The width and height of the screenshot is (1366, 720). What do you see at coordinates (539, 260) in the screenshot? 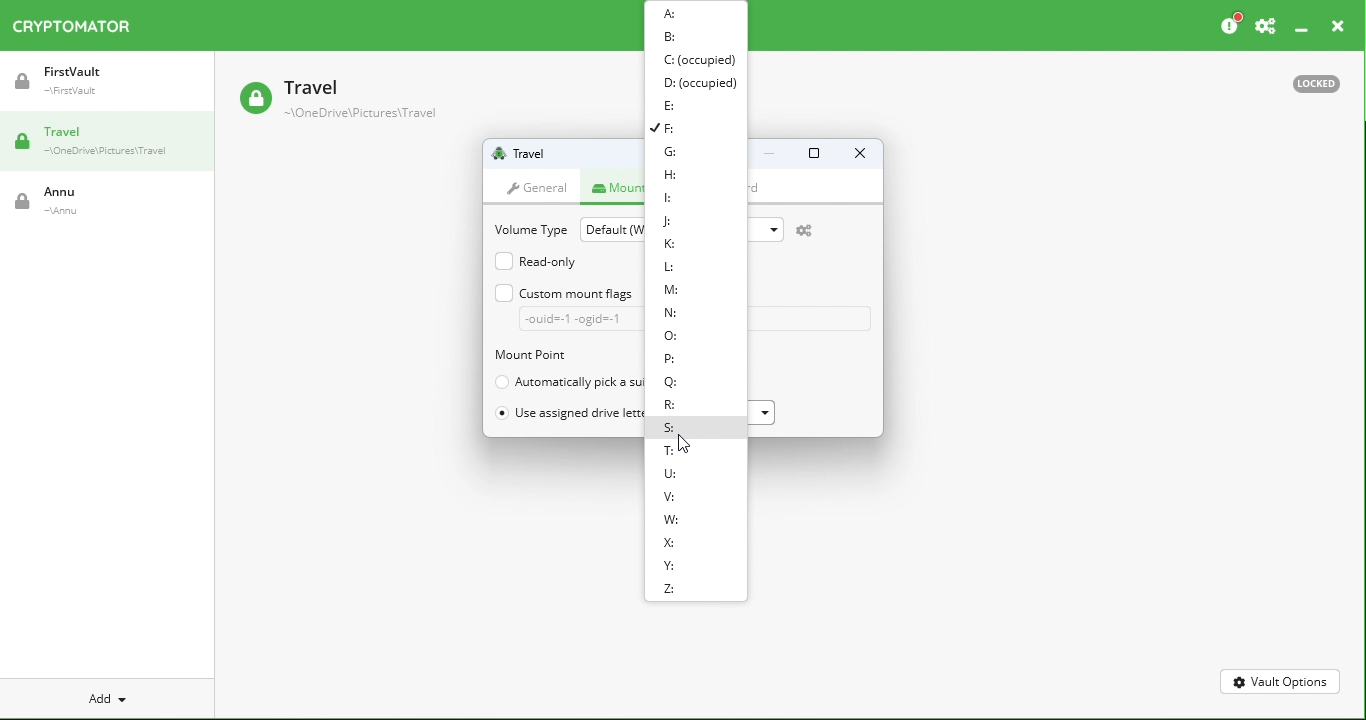
I see `Read only` at bounding box center [539, 260].